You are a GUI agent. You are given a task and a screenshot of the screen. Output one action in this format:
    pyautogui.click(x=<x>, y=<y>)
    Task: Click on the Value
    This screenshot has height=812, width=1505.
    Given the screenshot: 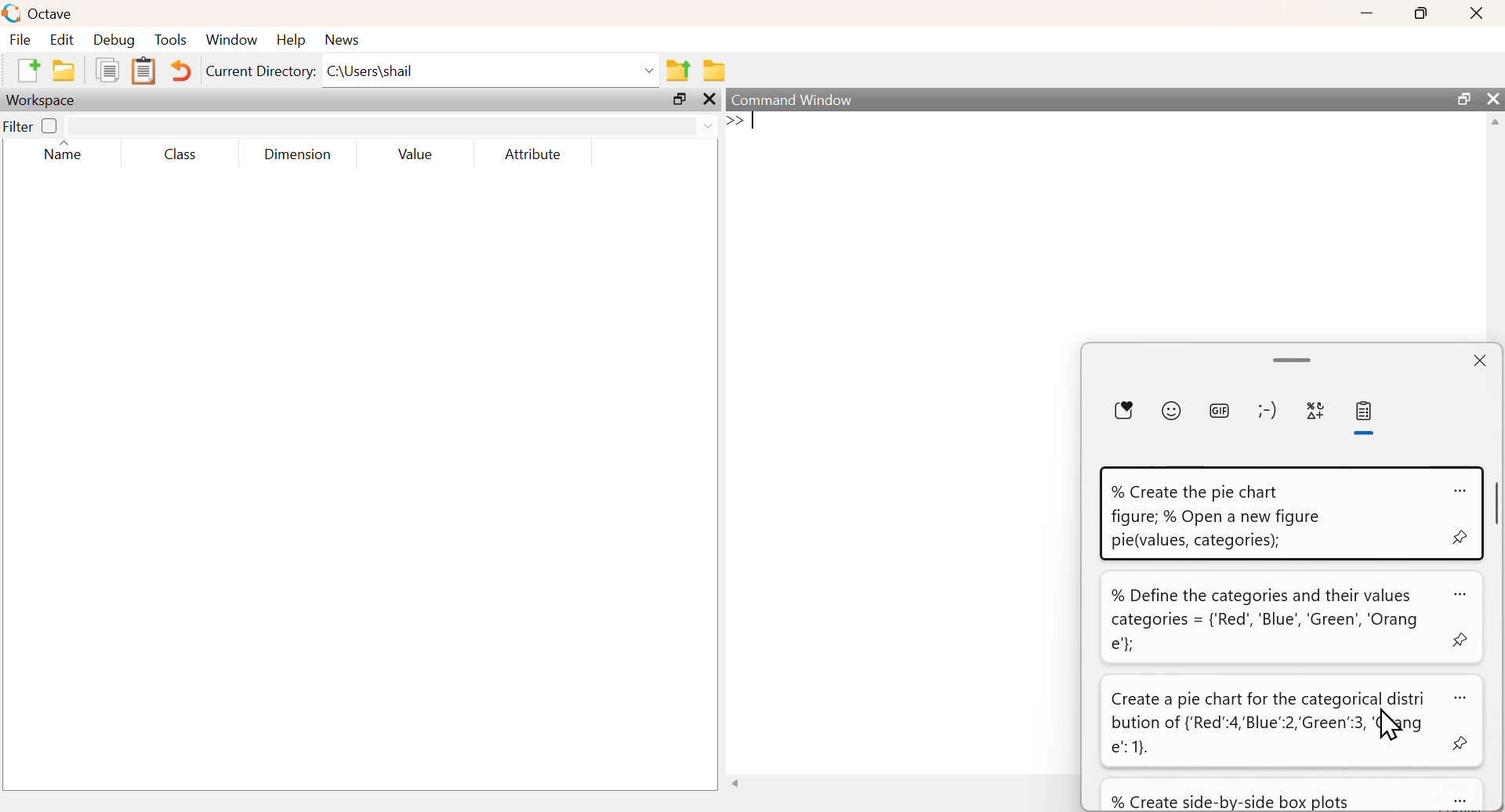 What is the action you would take?
    pyautogui.click(x=416, y=154)
    